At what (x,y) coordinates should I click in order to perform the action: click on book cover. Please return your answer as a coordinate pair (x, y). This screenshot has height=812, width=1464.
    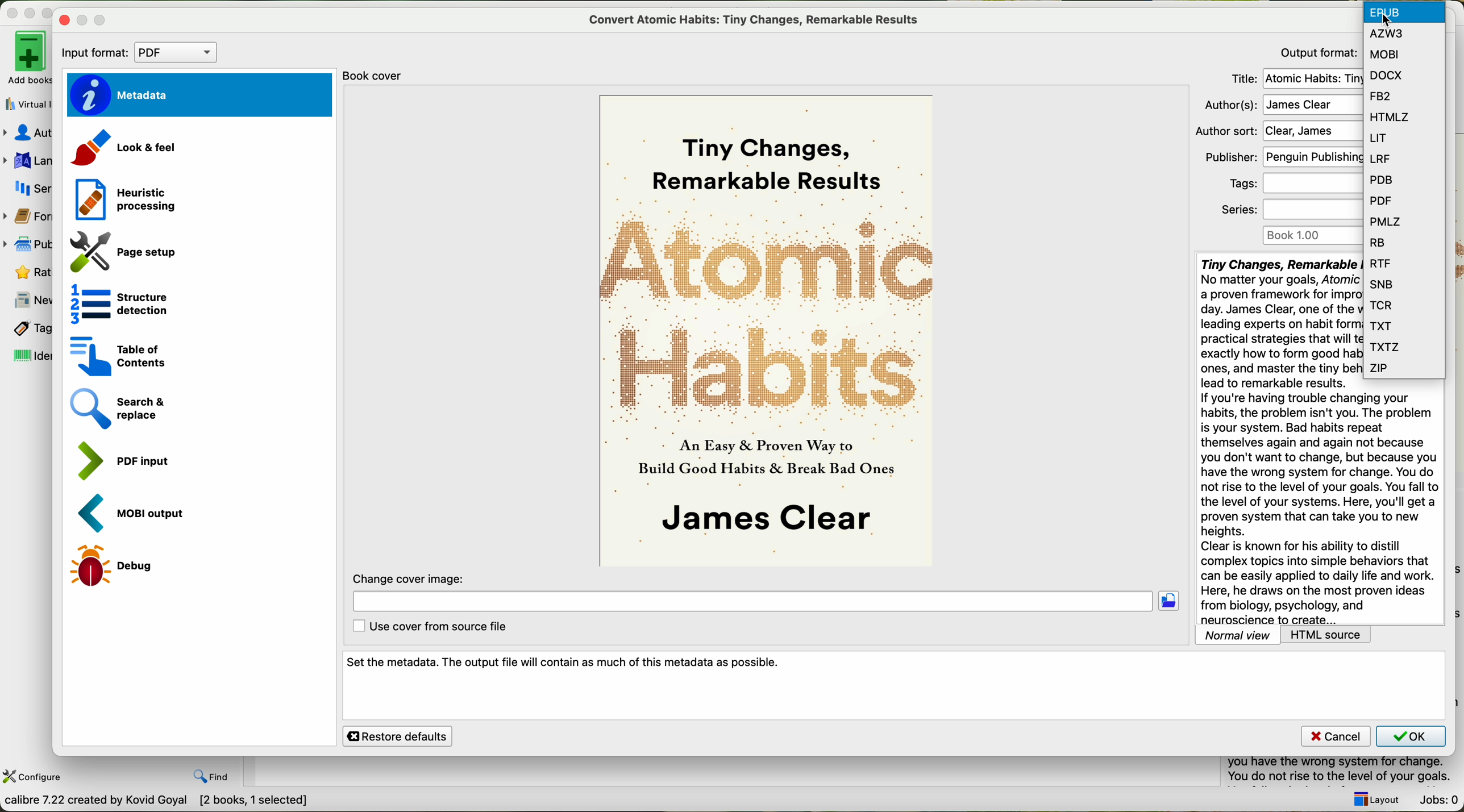
    Looking at the image, I should click on (768, 331).